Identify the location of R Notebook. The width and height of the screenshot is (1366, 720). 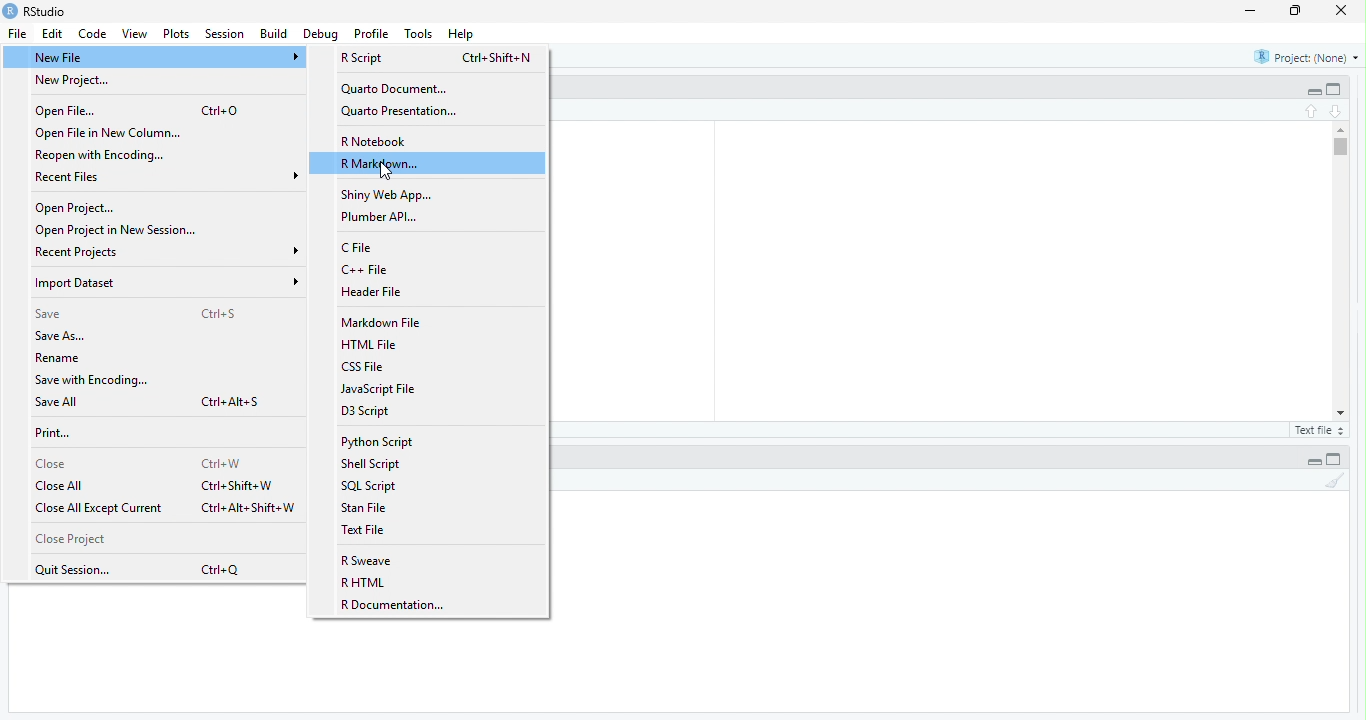
(376, 142).